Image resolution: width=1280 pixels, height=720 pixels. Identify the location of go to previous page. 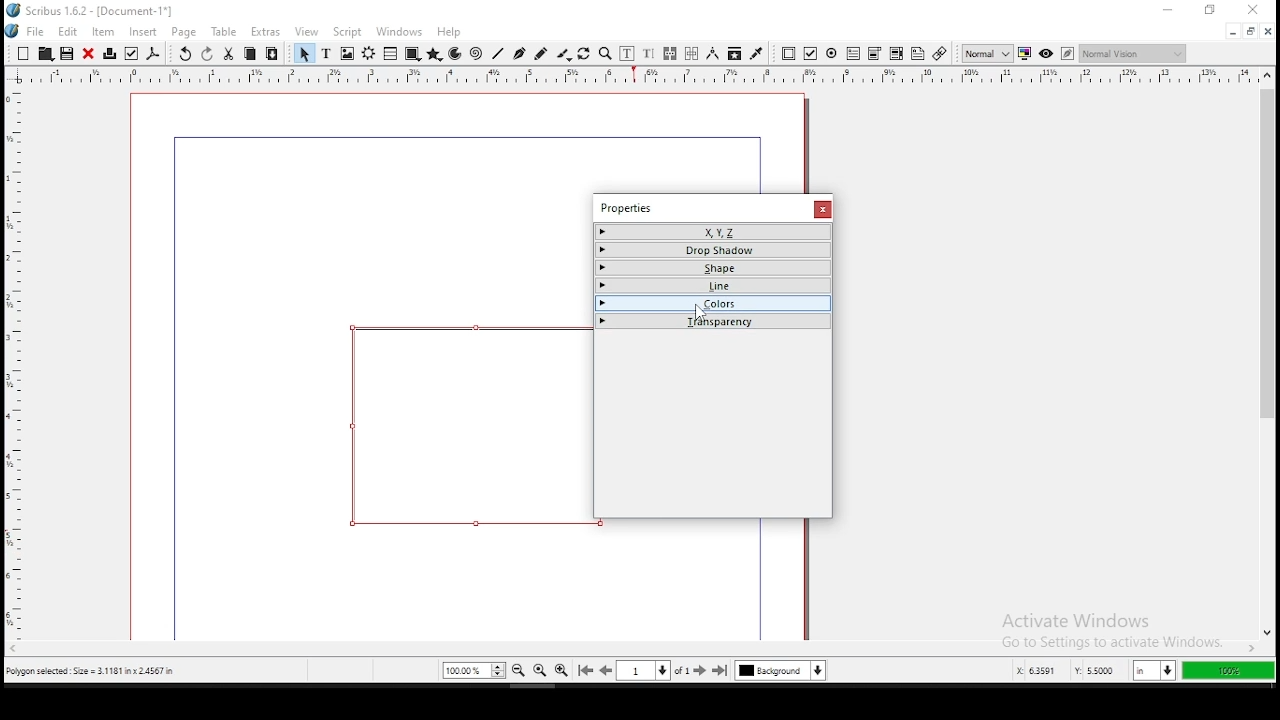
(606, 670).